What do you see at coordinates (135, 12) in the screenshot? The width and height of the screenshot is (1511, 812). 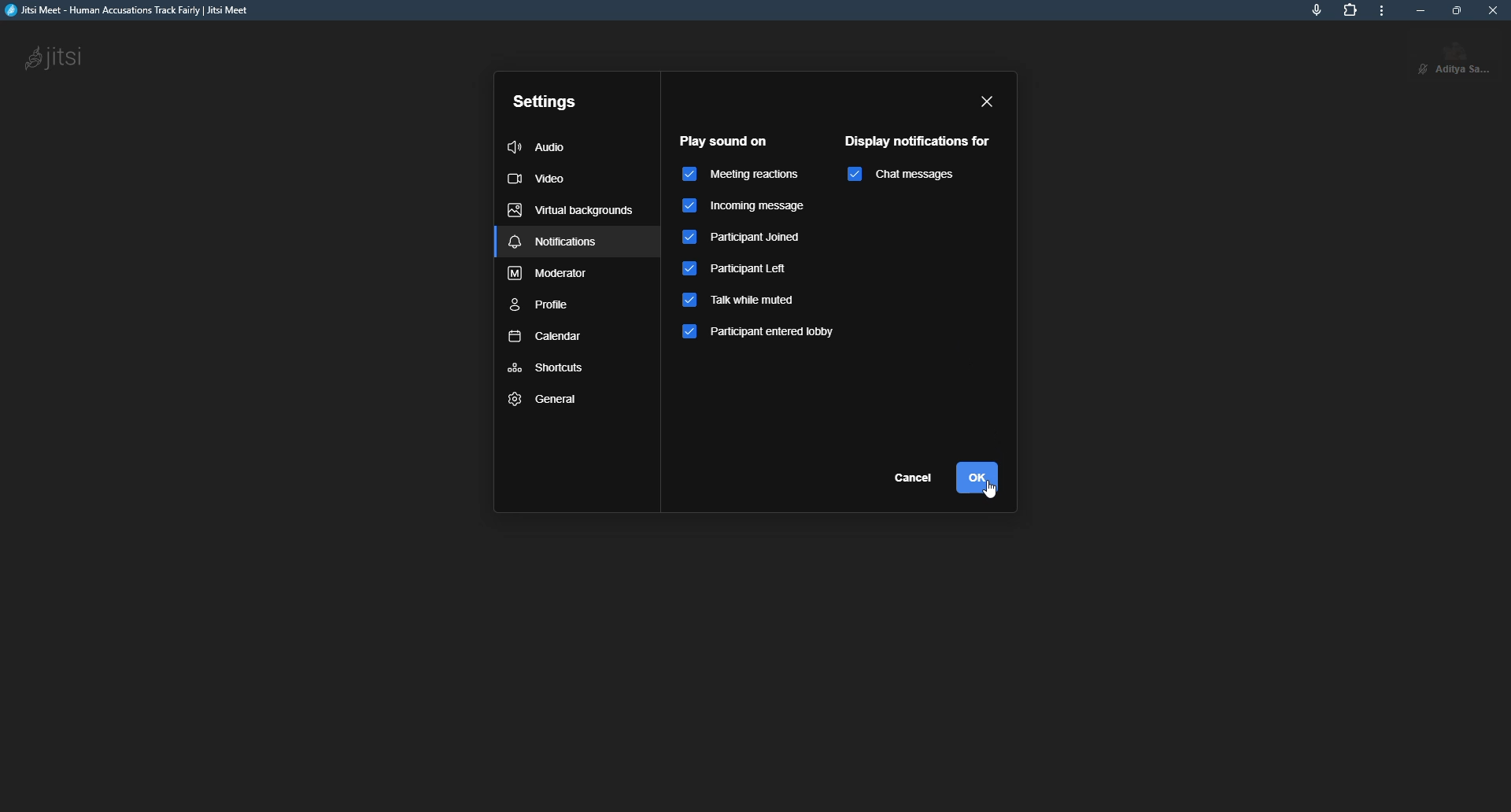 I see `jitsi` at bounding box center [135, 12].